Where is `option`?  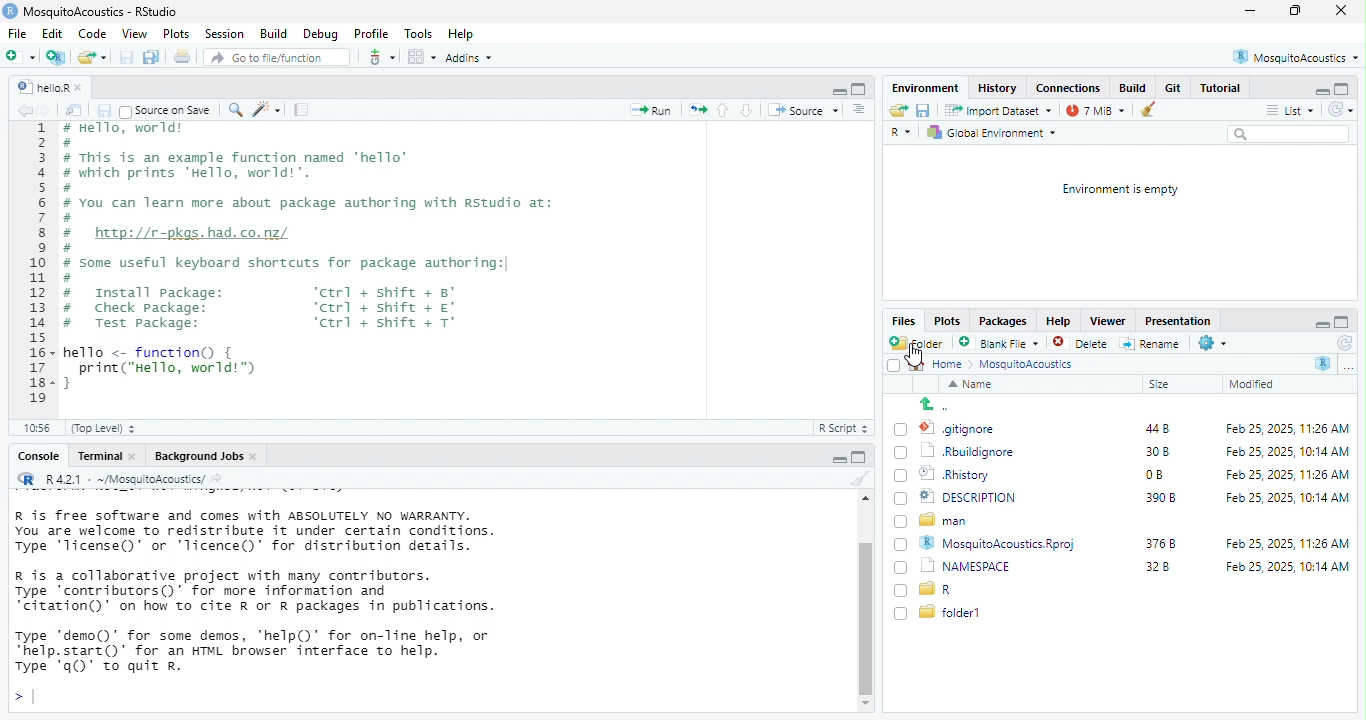
option is located at coordinates (421, 56).